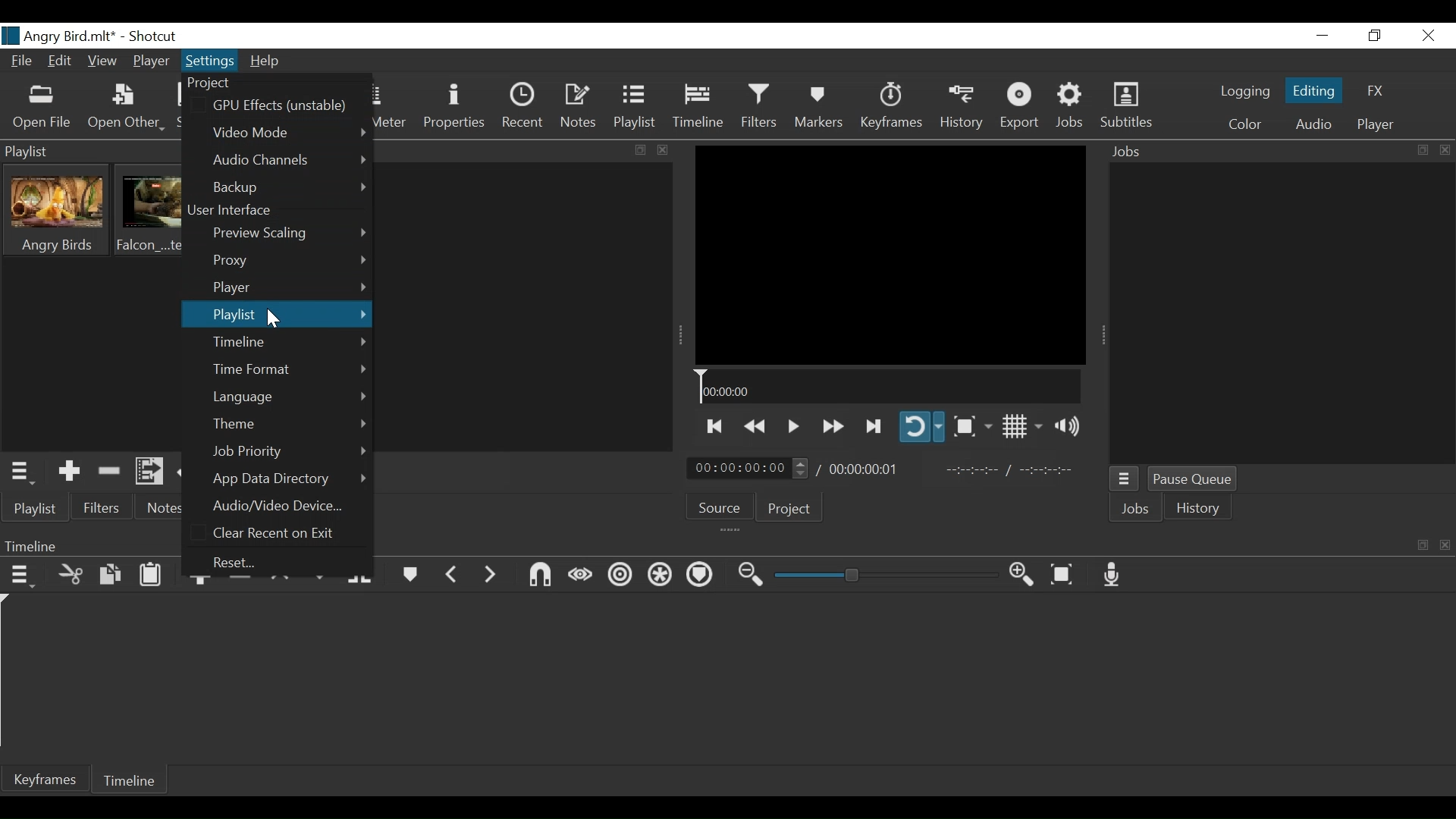 The height and width of the screenshot is (819, 1456). What do you see at coordinates (759, 108) in the screenshot?
I see `Filter` at bounding box center [759, 108].